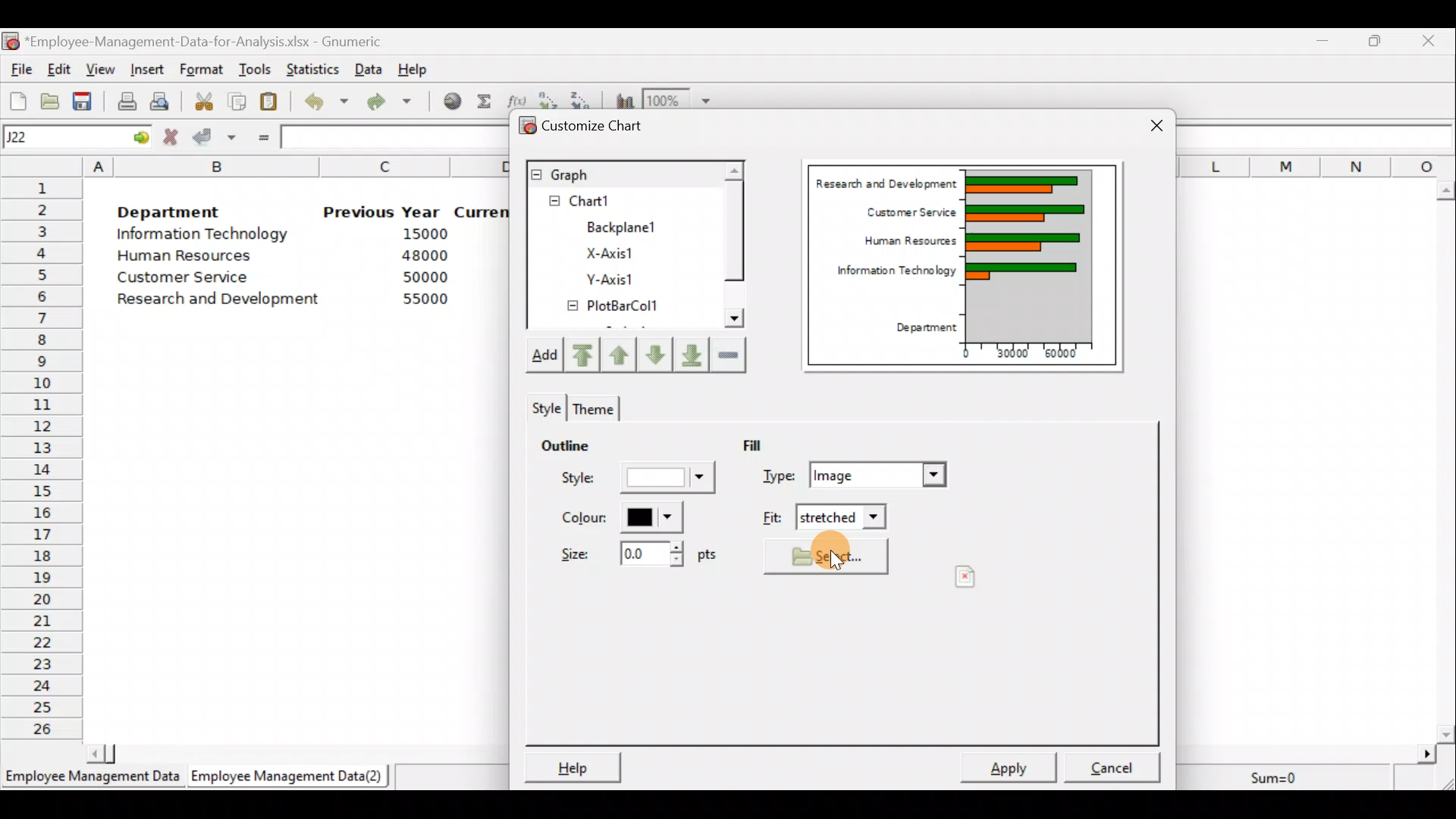 The height and width of the screenshot is (819, 1456). What do you see at coordinates (172, 137) in the screenshot?
I see `Cancel change` at bounding box center [172, 137].